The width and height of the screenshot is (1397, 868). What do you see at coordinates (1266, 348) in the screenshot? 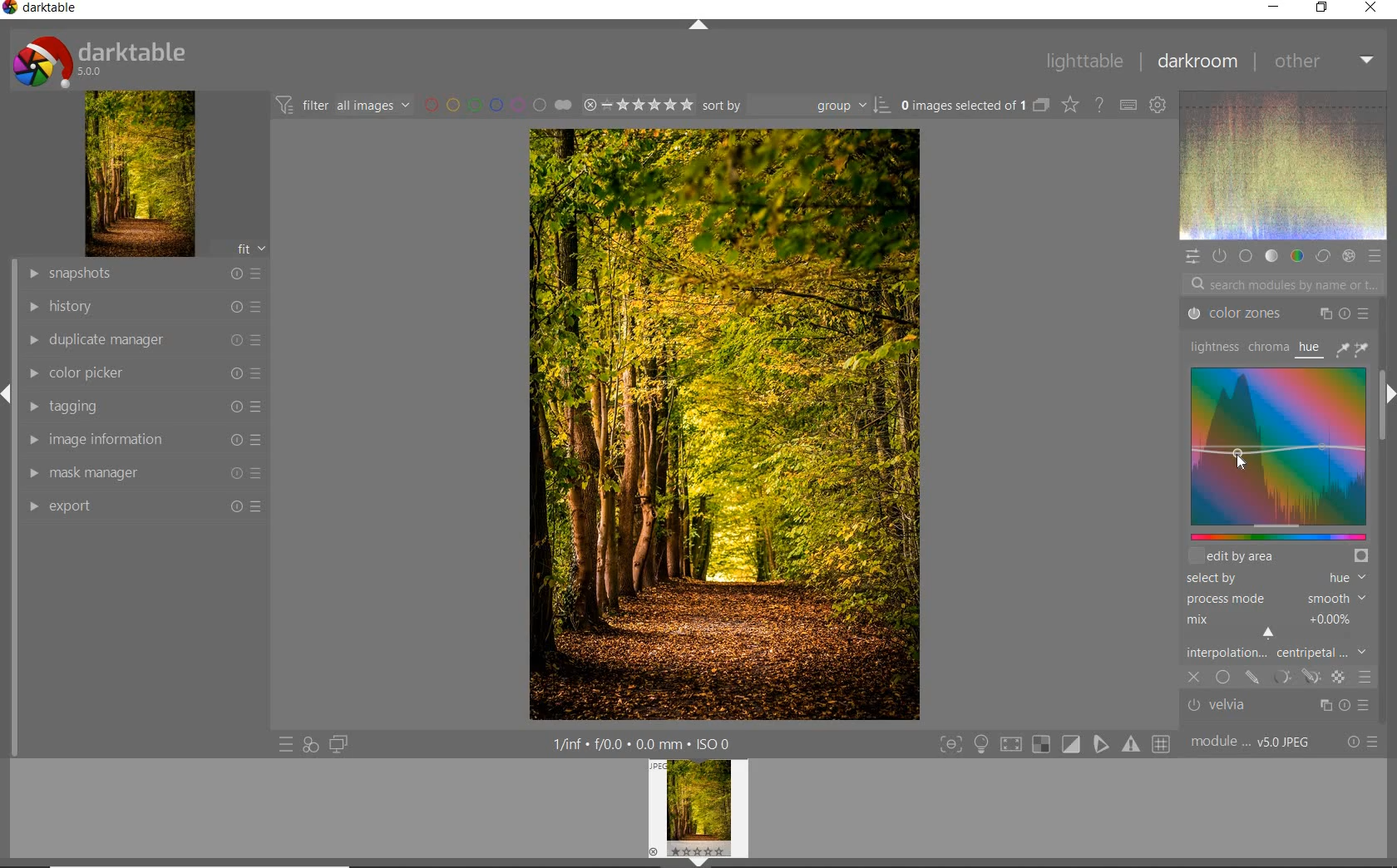
I see `chroma` at bounding box center [1266, 348].